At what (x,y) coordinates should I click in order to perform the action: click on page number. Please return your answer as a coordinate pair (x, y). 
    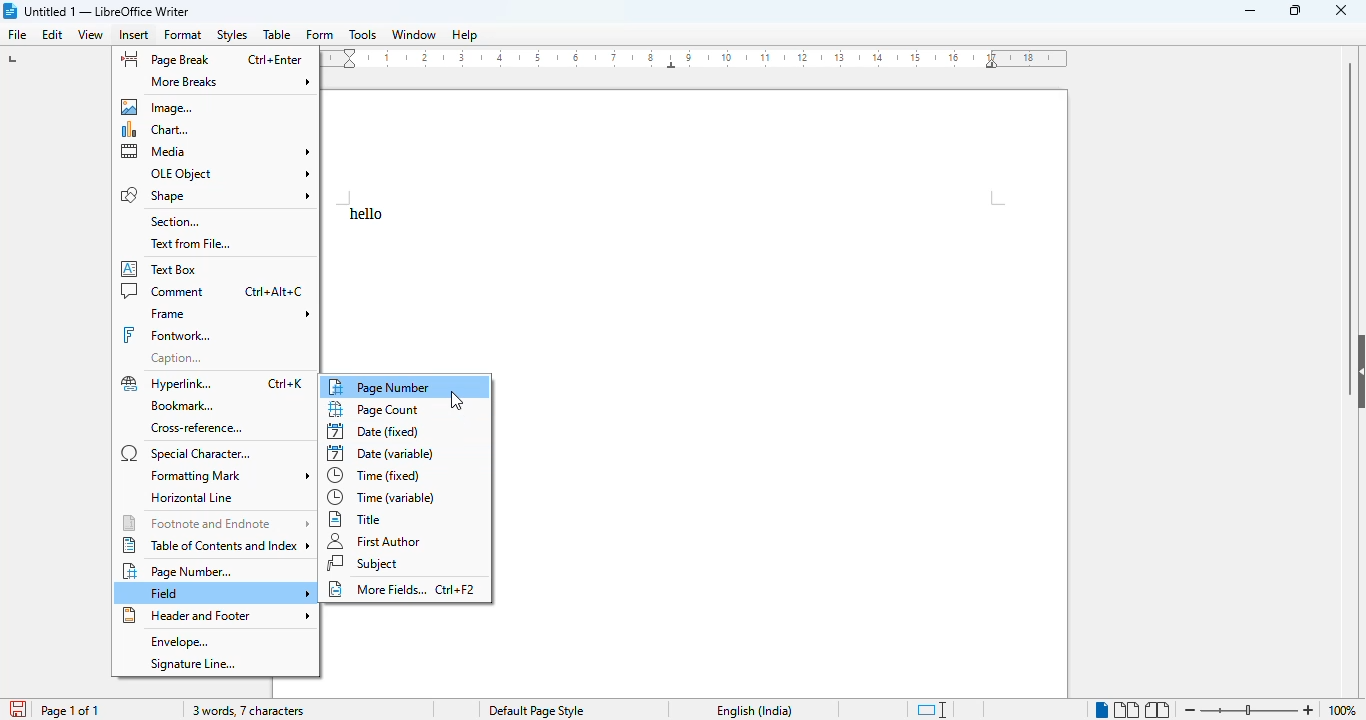
    Looking at the image, I should click on (179, 570).